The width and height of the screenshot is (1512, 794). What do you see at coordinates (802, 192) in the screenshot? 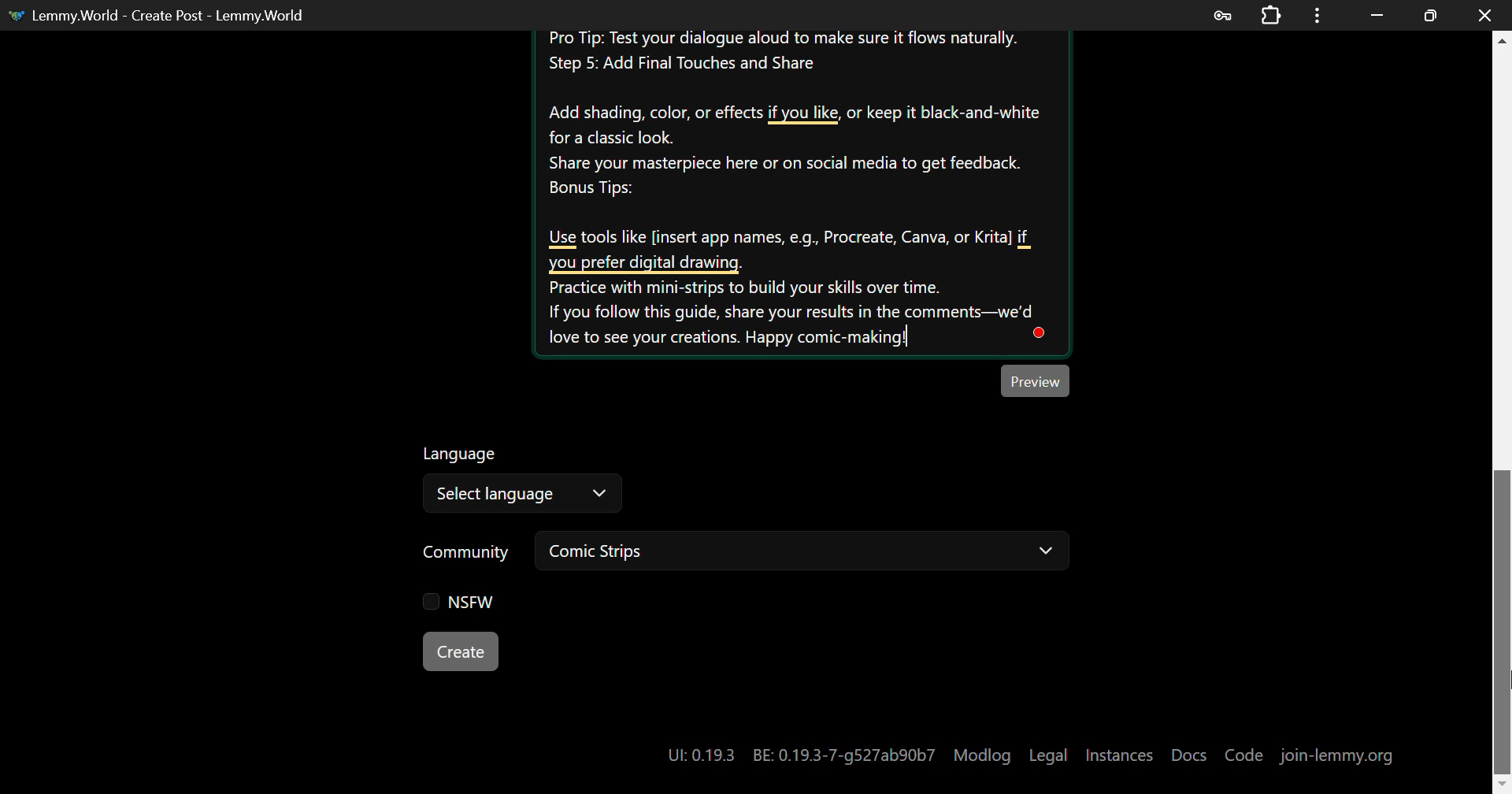
I see `Create your own Comic-strip Instructions` at bounding box center [802, 192].